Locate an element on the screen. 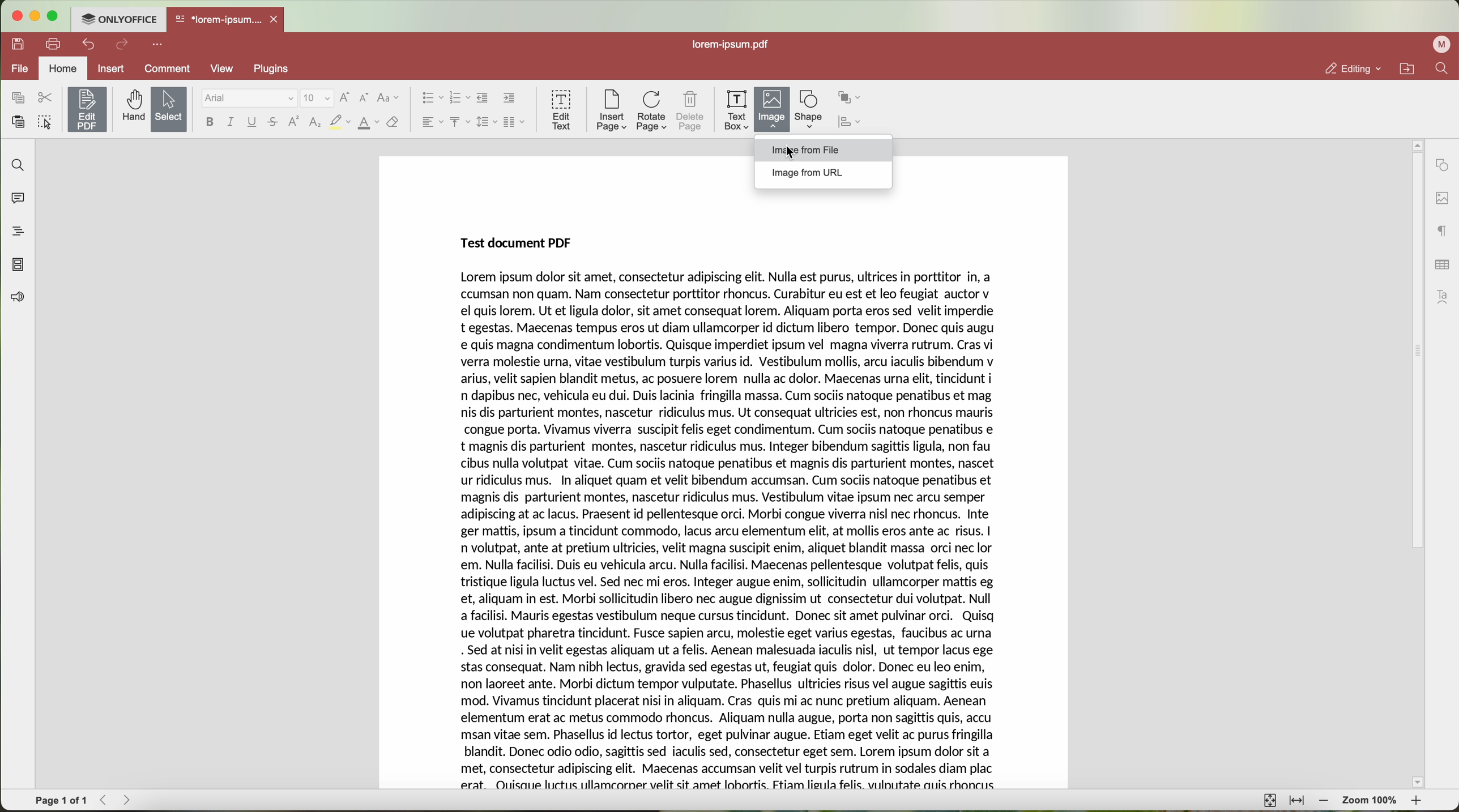  decrease indent is located at coordinates (483, 98).